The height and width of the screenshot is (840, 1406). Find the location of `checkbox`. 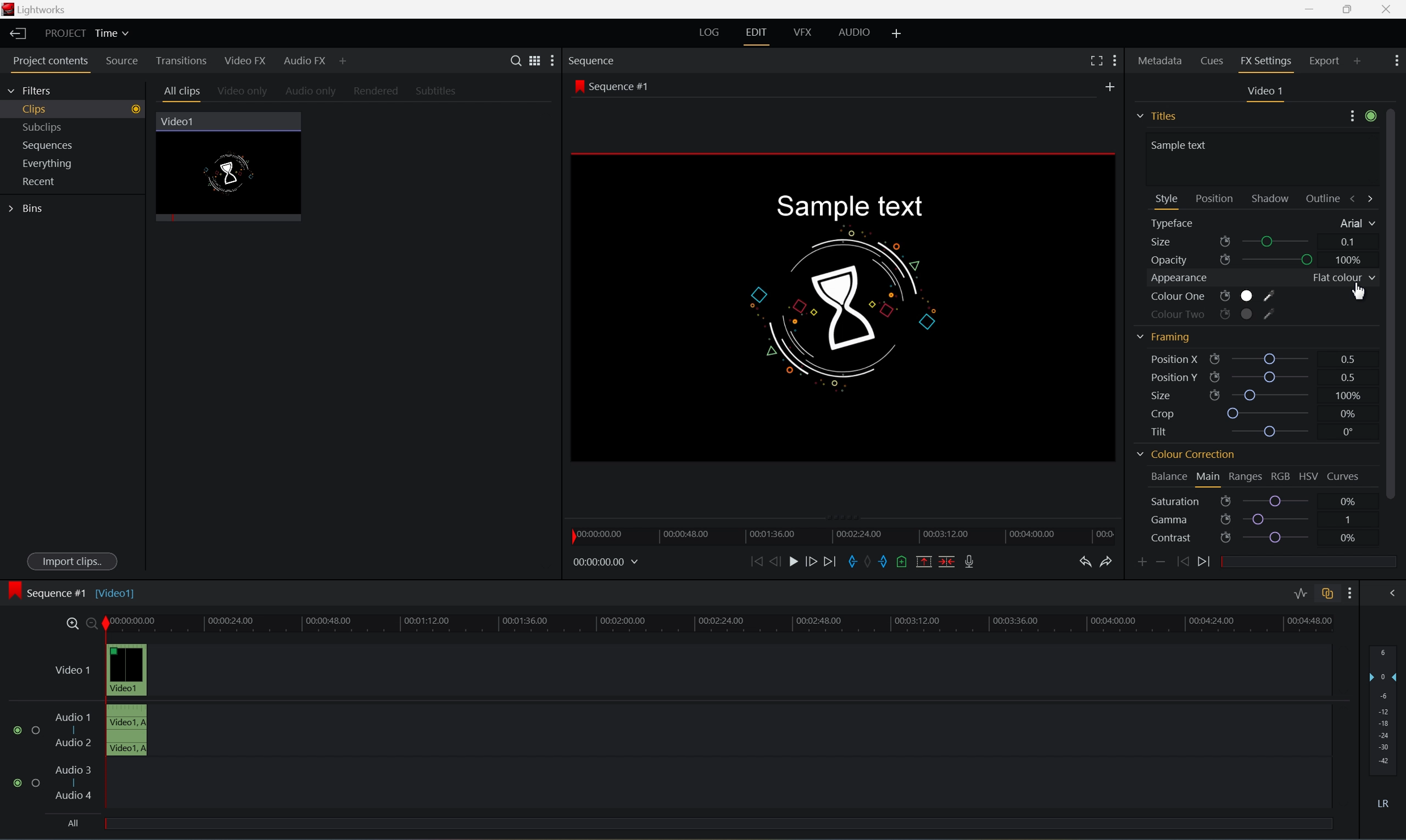

checkbox is located at coordinates (38, 785).